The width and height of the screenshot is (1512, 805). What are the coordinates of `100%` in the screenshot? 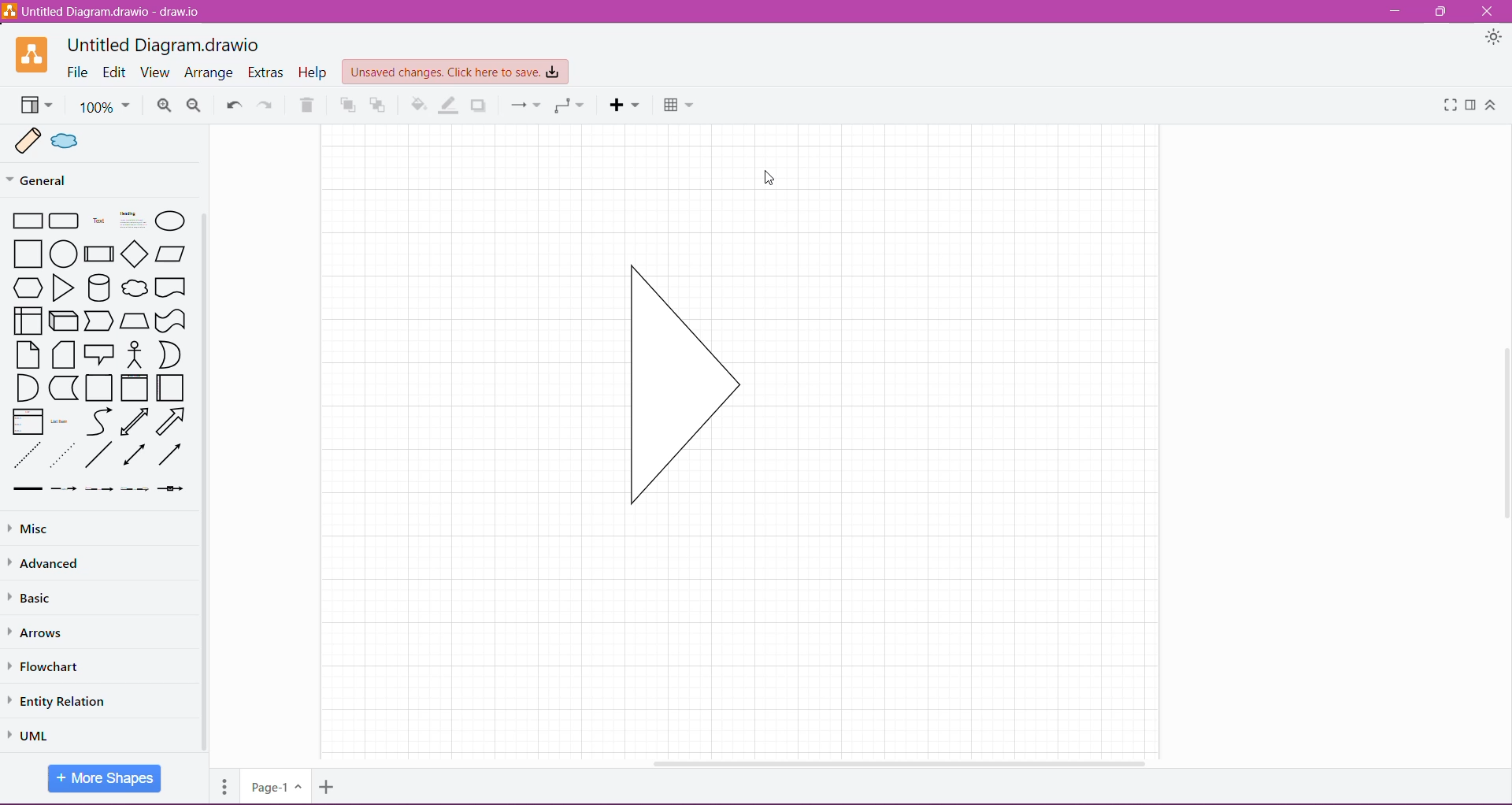 It's located at (105, 107).